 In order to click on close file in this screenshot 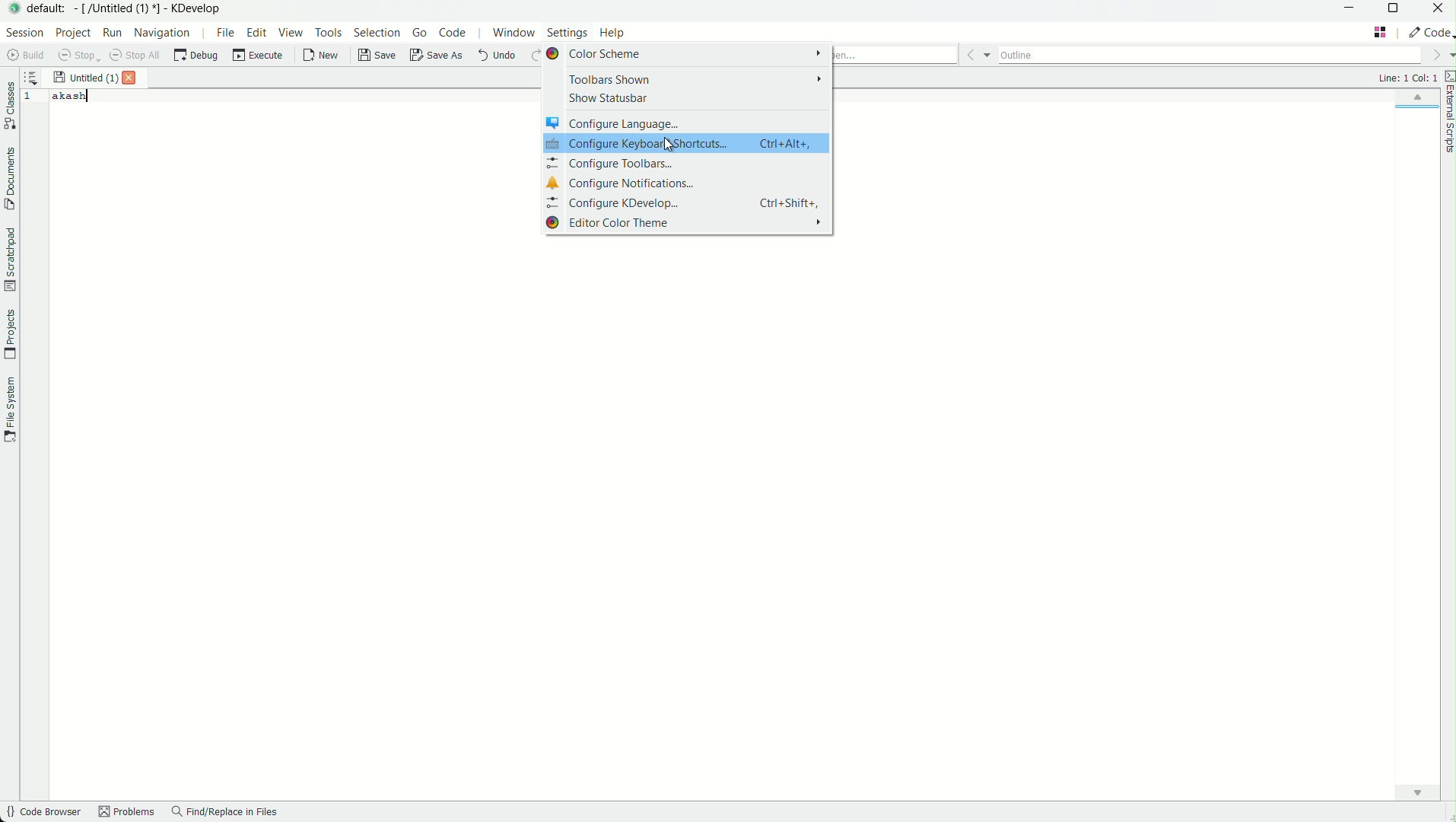, I will do `click(133, 78)`.